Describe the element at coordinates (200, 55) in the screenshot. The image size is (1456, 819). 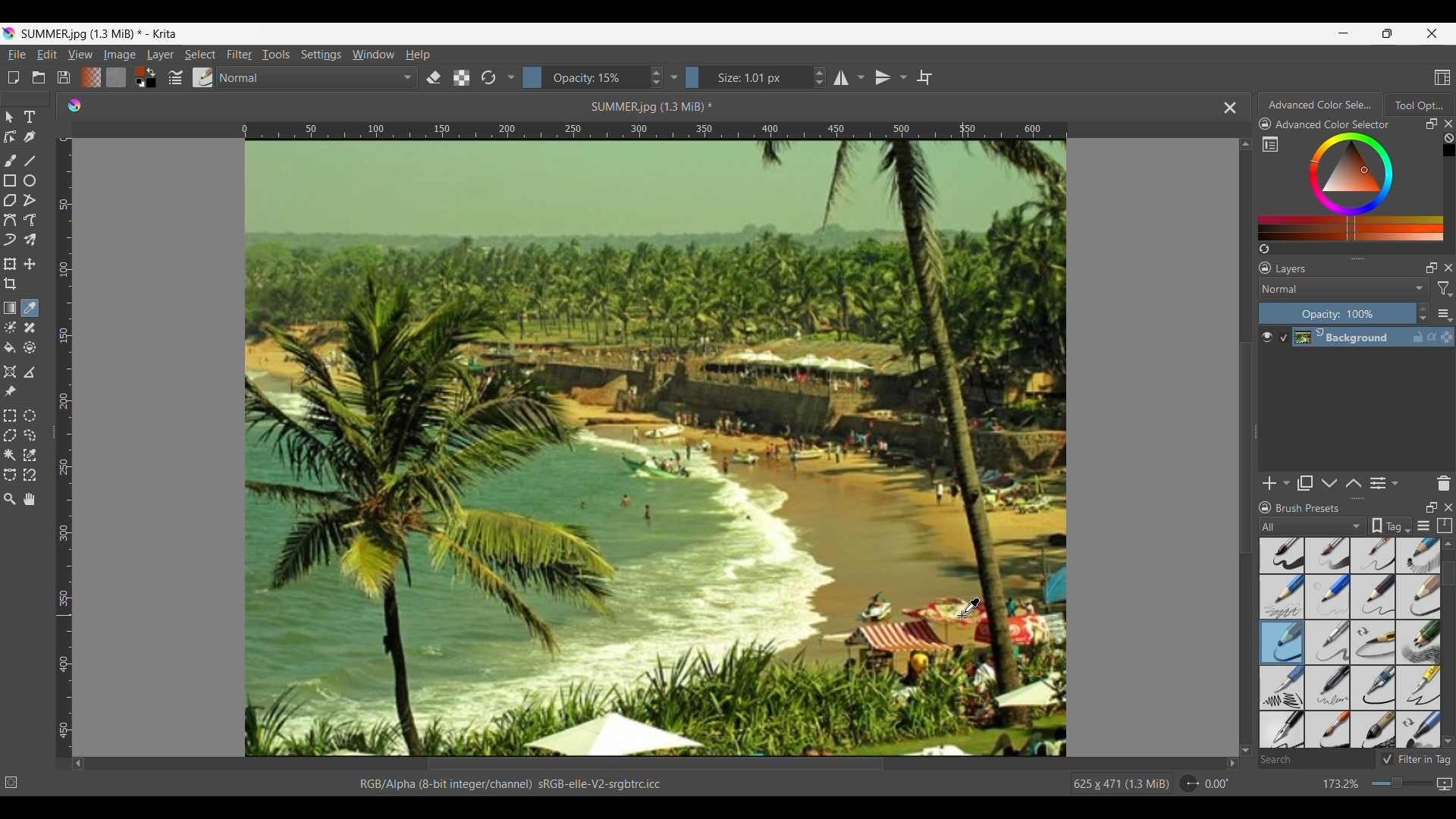
I see `Select menu` at that location.